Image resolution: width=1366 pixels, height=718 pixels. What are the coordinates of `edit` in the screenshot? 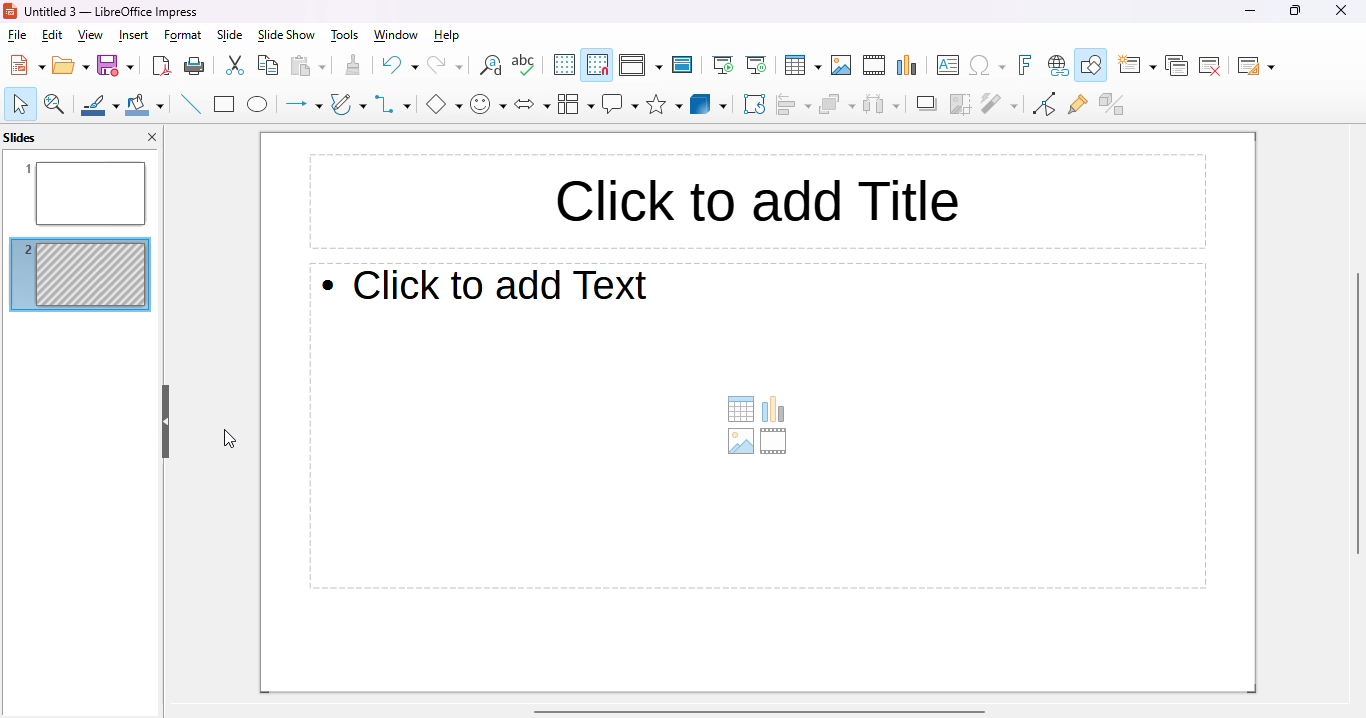 It's located at (51, 35).